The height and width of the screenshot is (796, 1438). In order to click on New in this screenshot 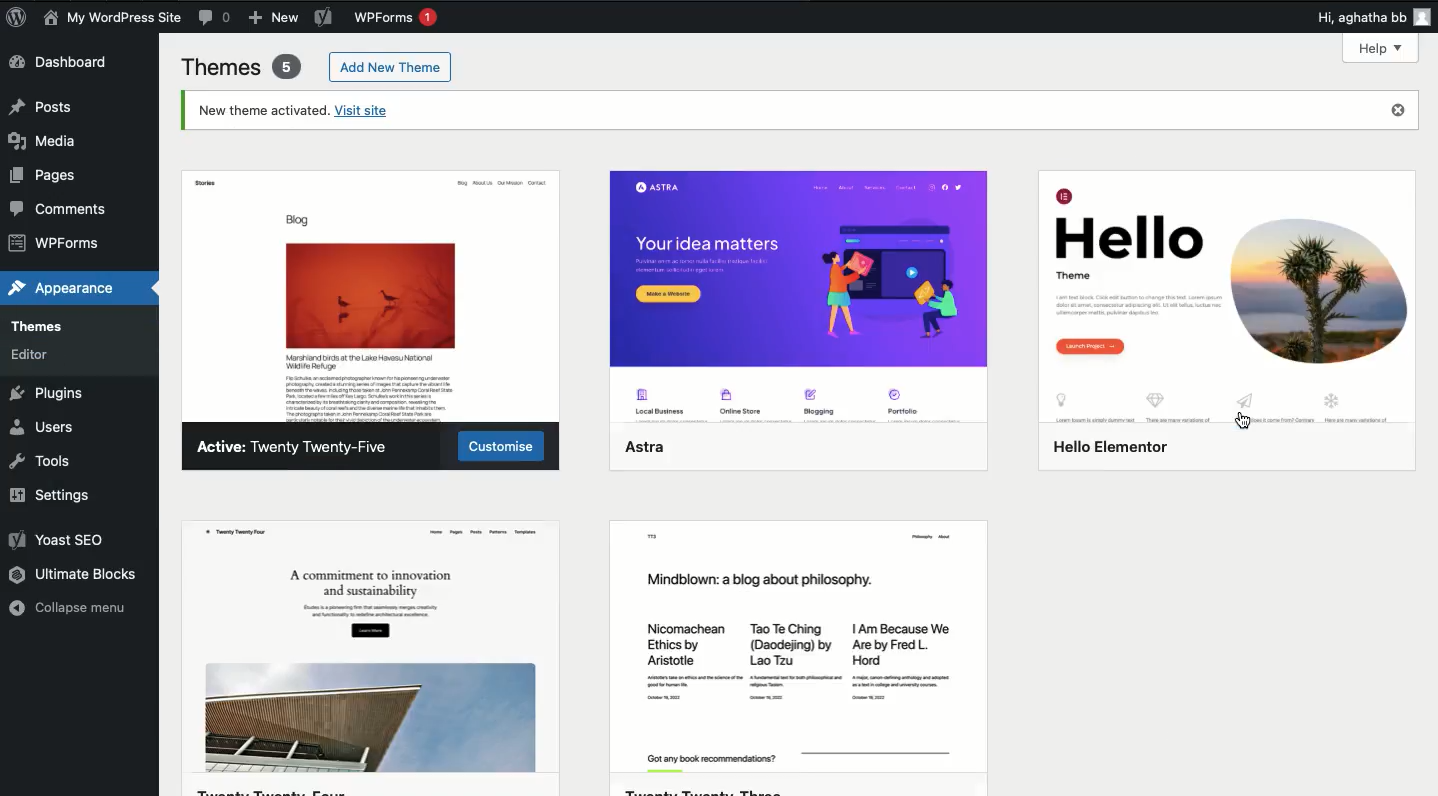, I will do `click(271, 18)`.